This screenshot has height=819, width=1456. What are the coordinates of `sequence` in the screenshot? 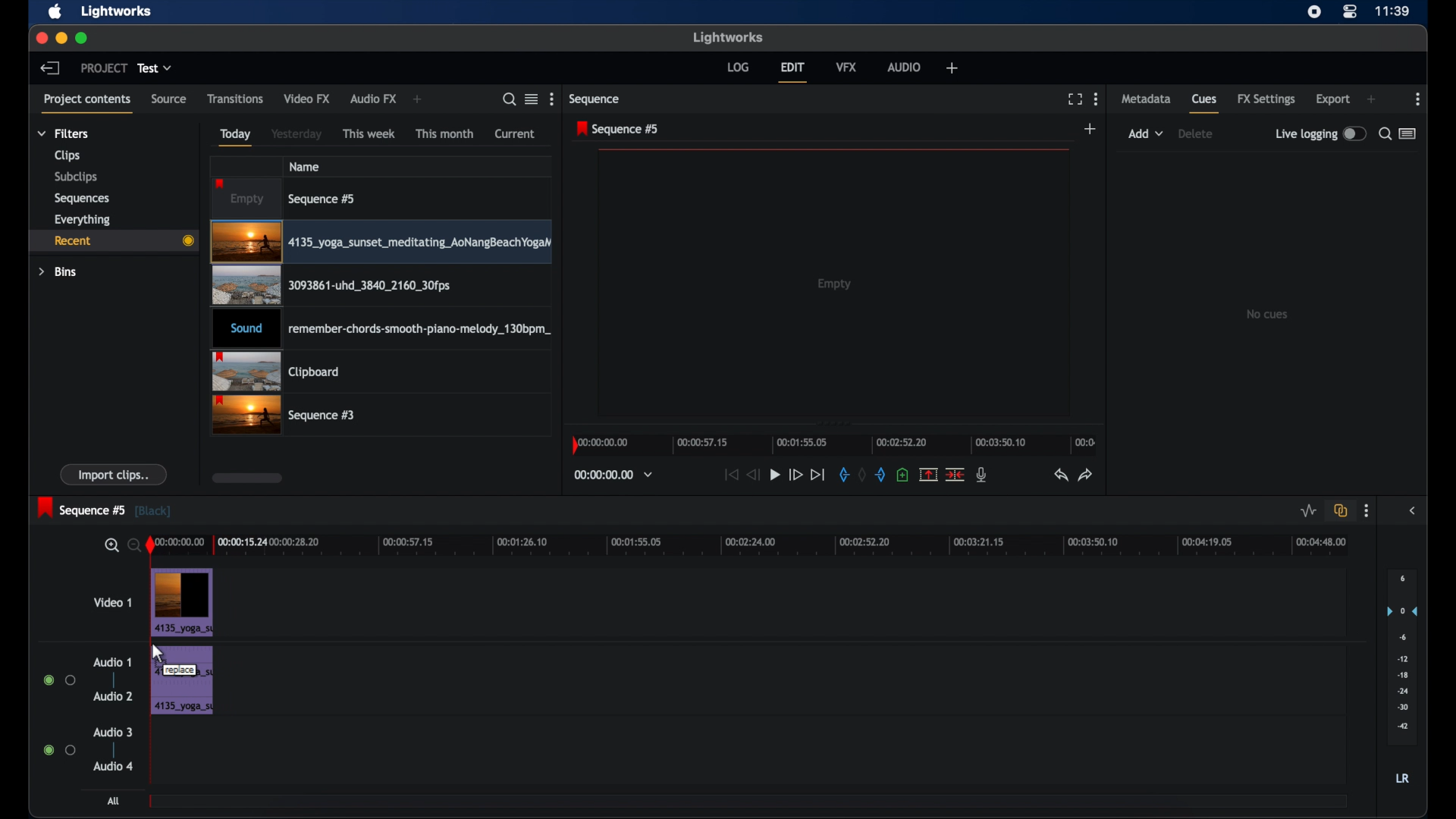 It's located at (595, 101).